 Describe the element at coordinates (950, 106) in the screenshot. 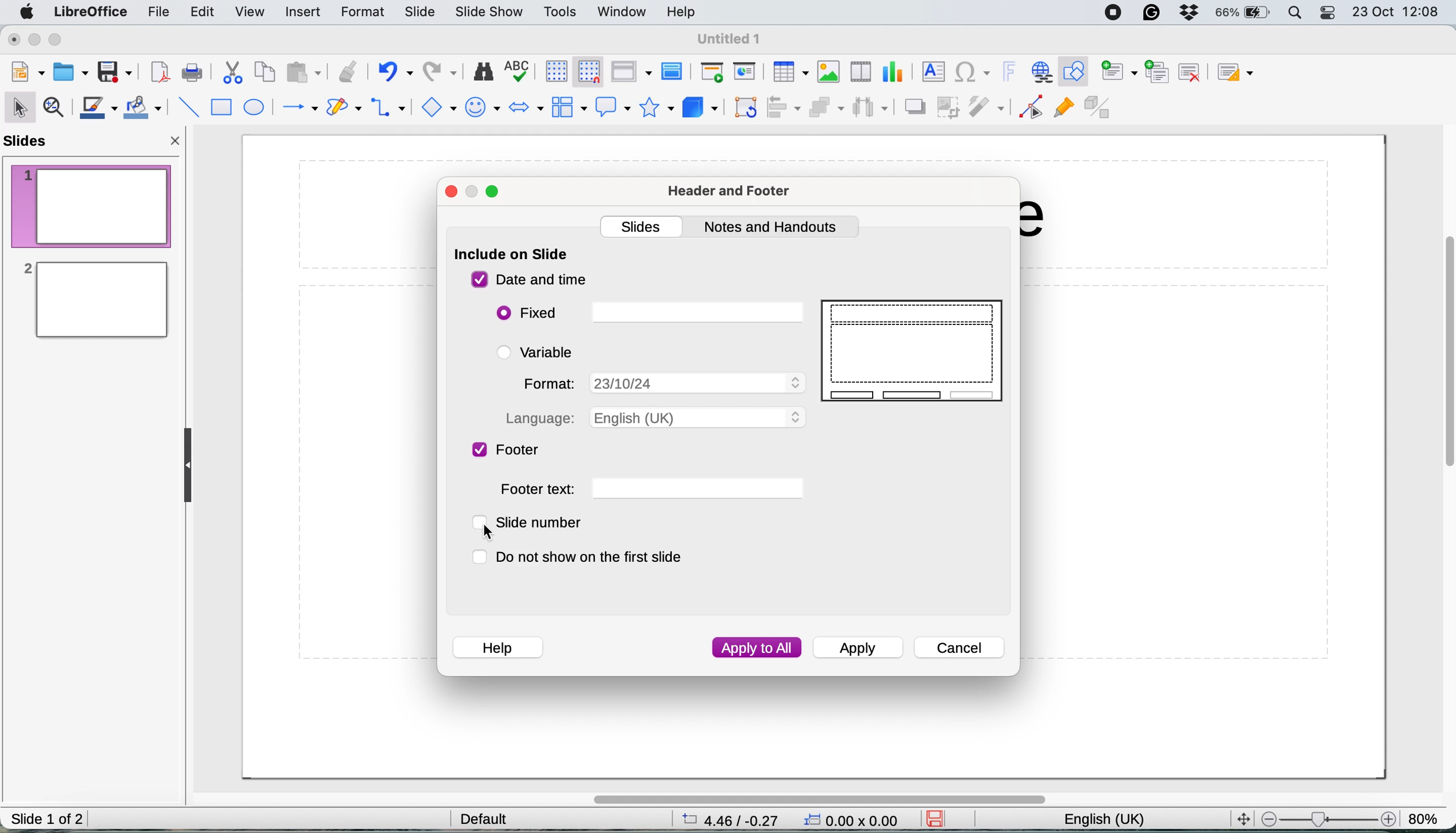

I see `crop image` at that location.